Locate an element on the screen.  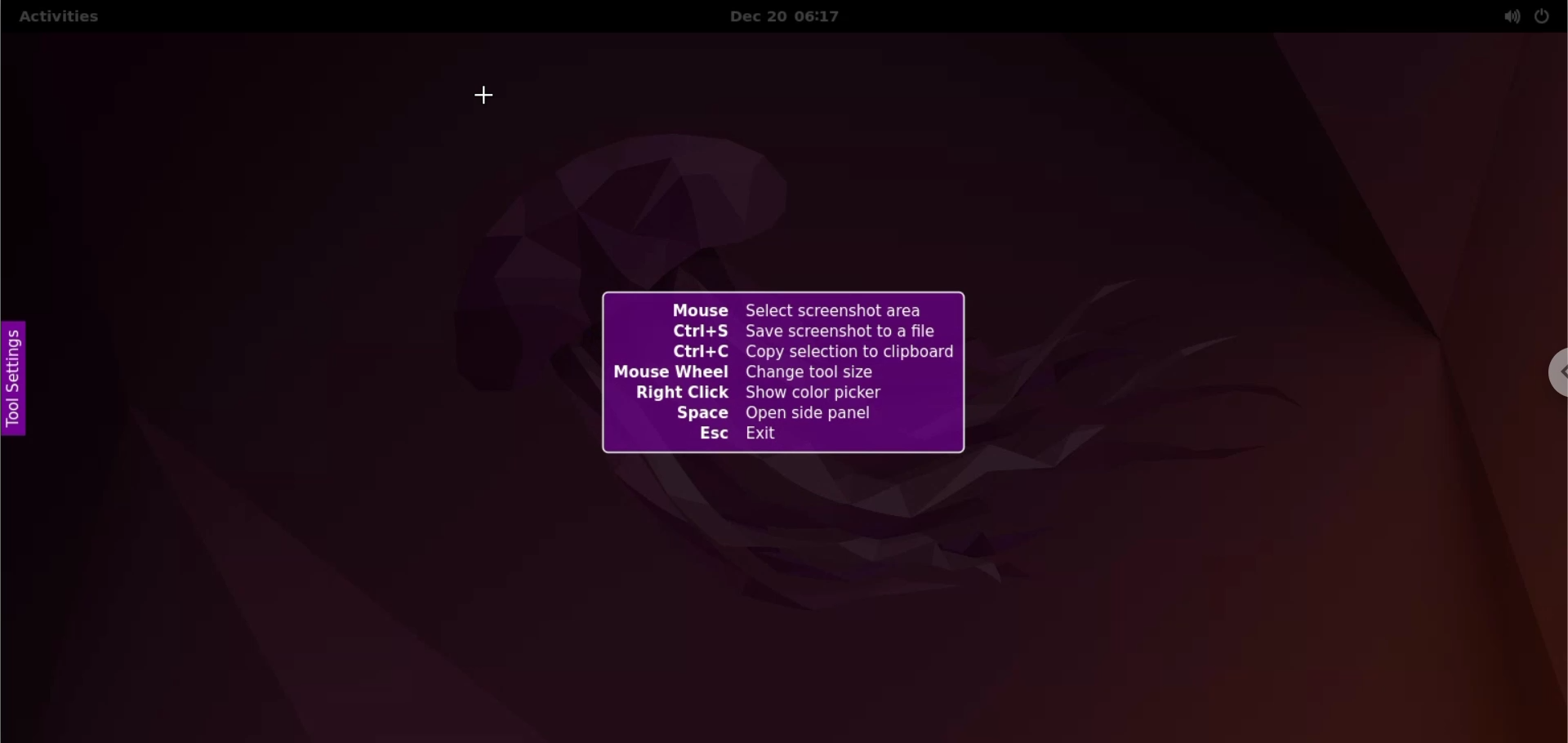
power options is located at coordinates (1543, 16).